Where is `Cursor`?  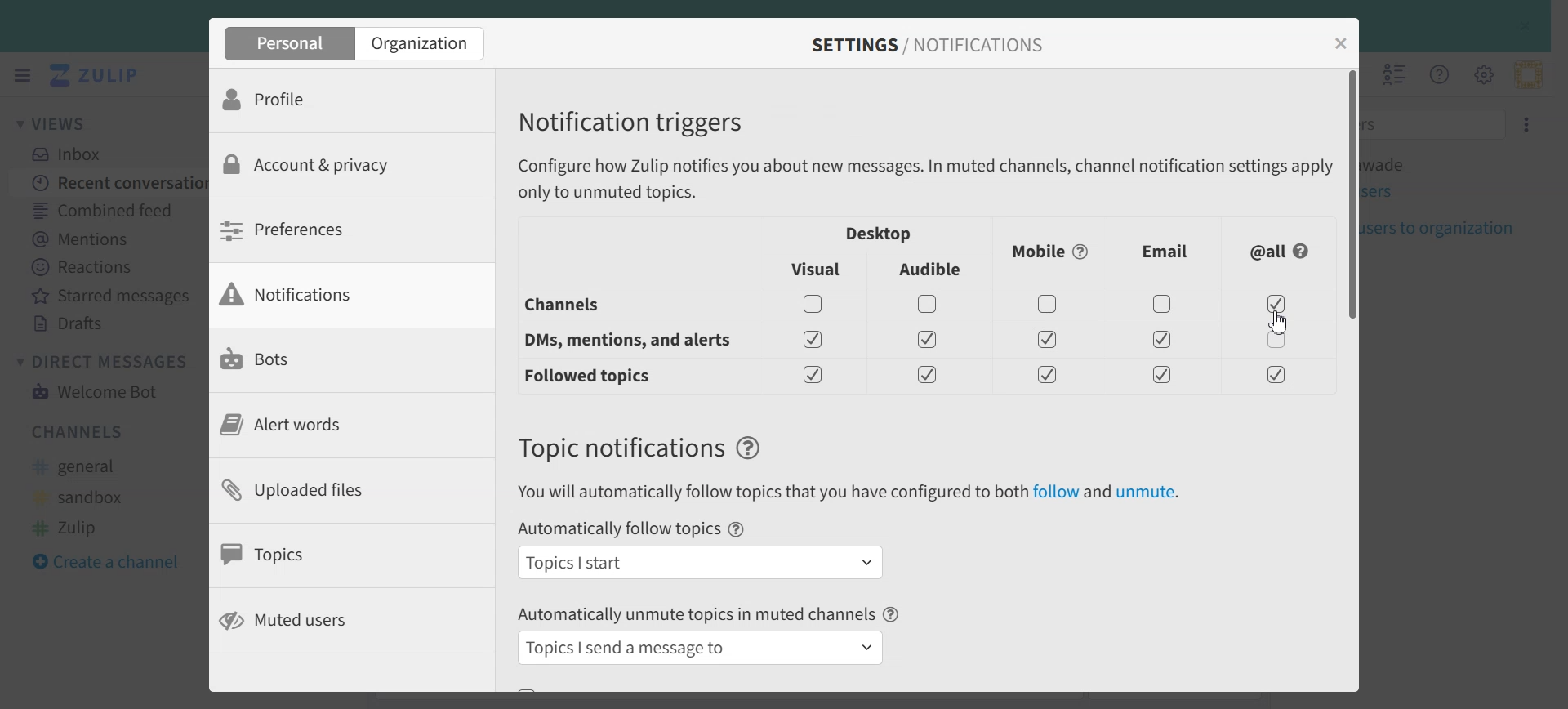
Cursor is located at coordinates (1278, 322).